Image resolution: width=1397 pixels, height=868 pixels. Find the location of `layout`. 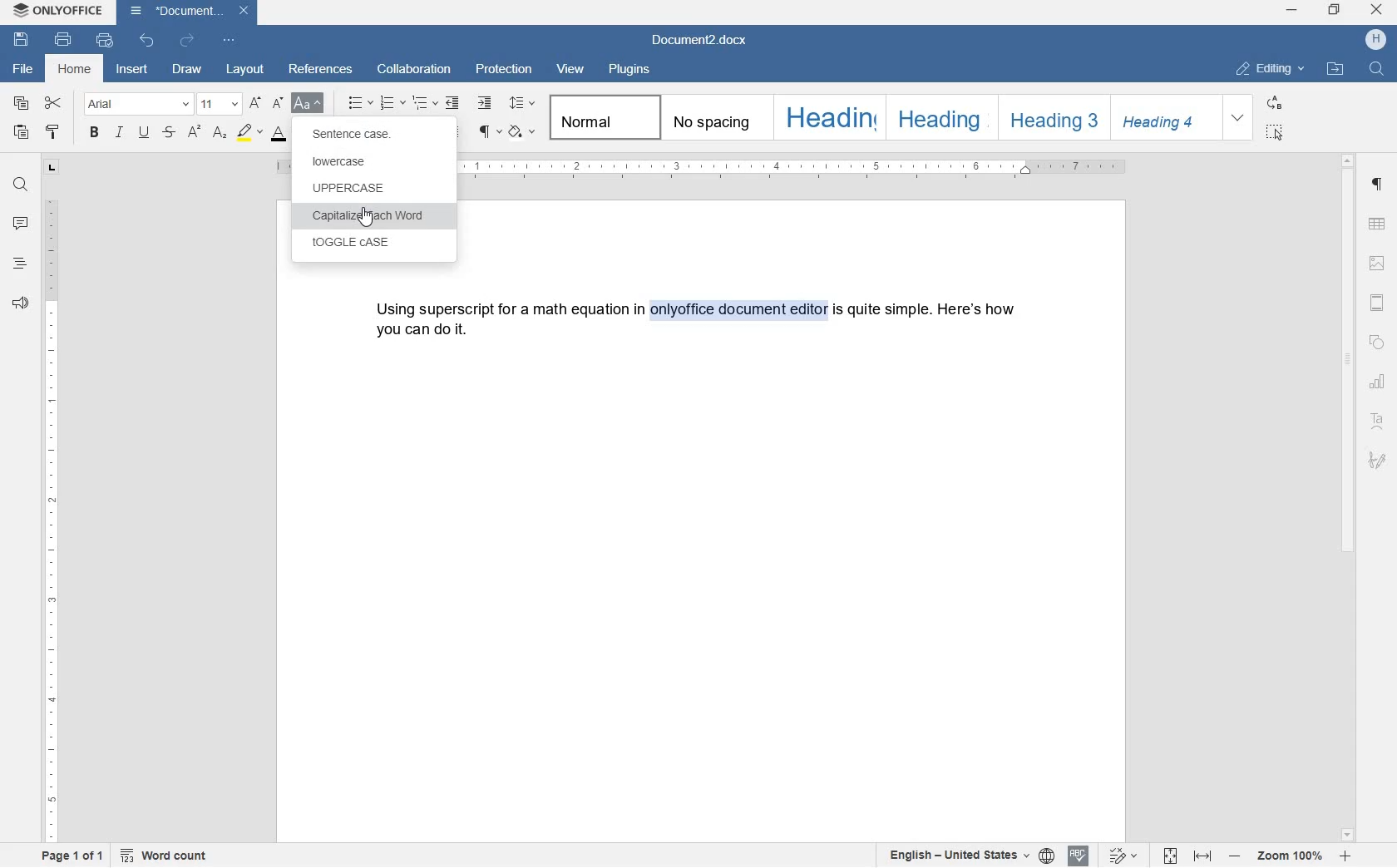

layout is located at coordinates (247, 70).